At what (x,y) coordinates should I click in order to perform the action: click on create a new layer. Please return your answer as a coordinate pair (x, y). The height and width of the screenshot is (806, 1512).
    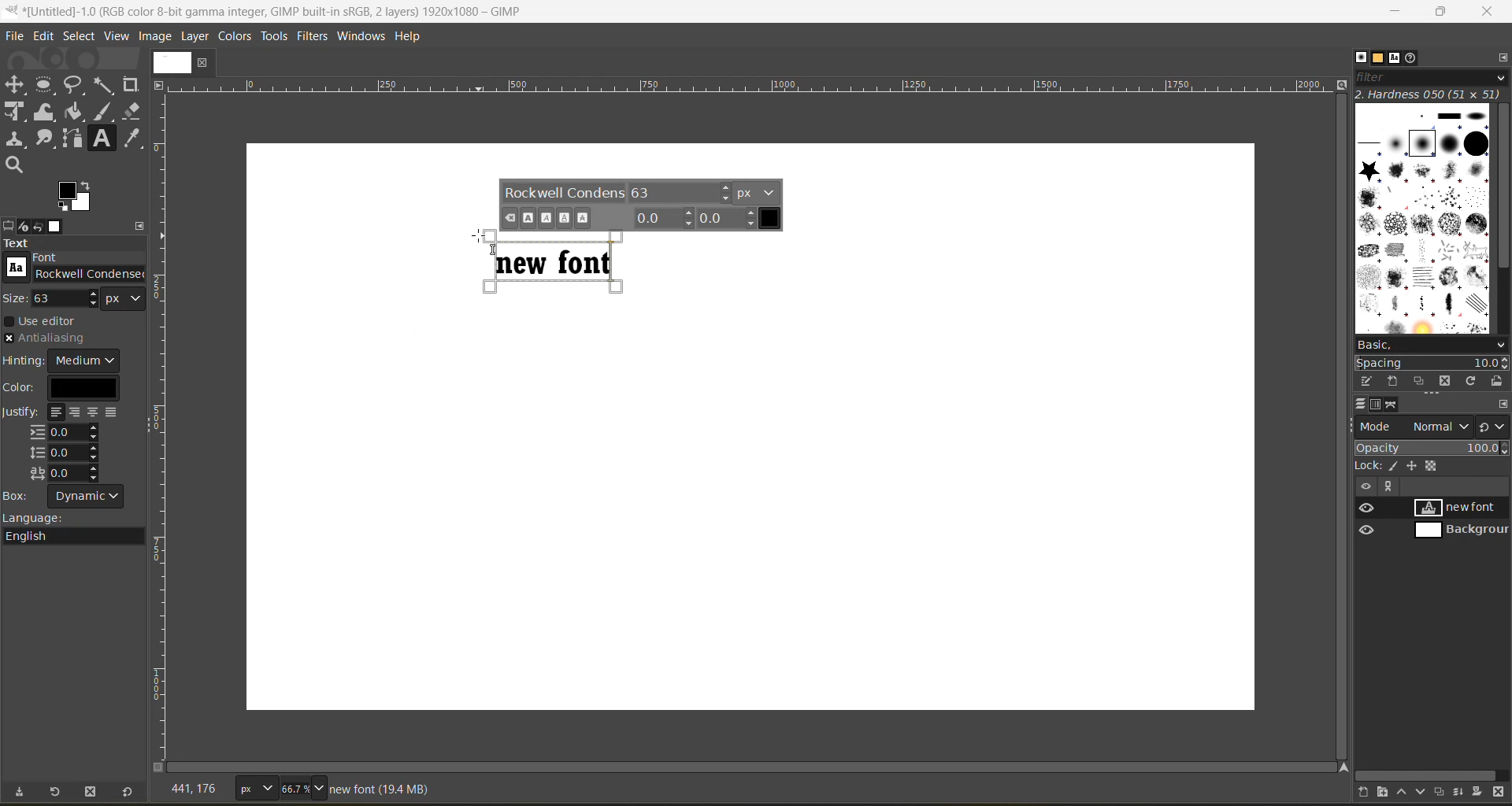
    Looking at the image, I should click on (1370, 793).